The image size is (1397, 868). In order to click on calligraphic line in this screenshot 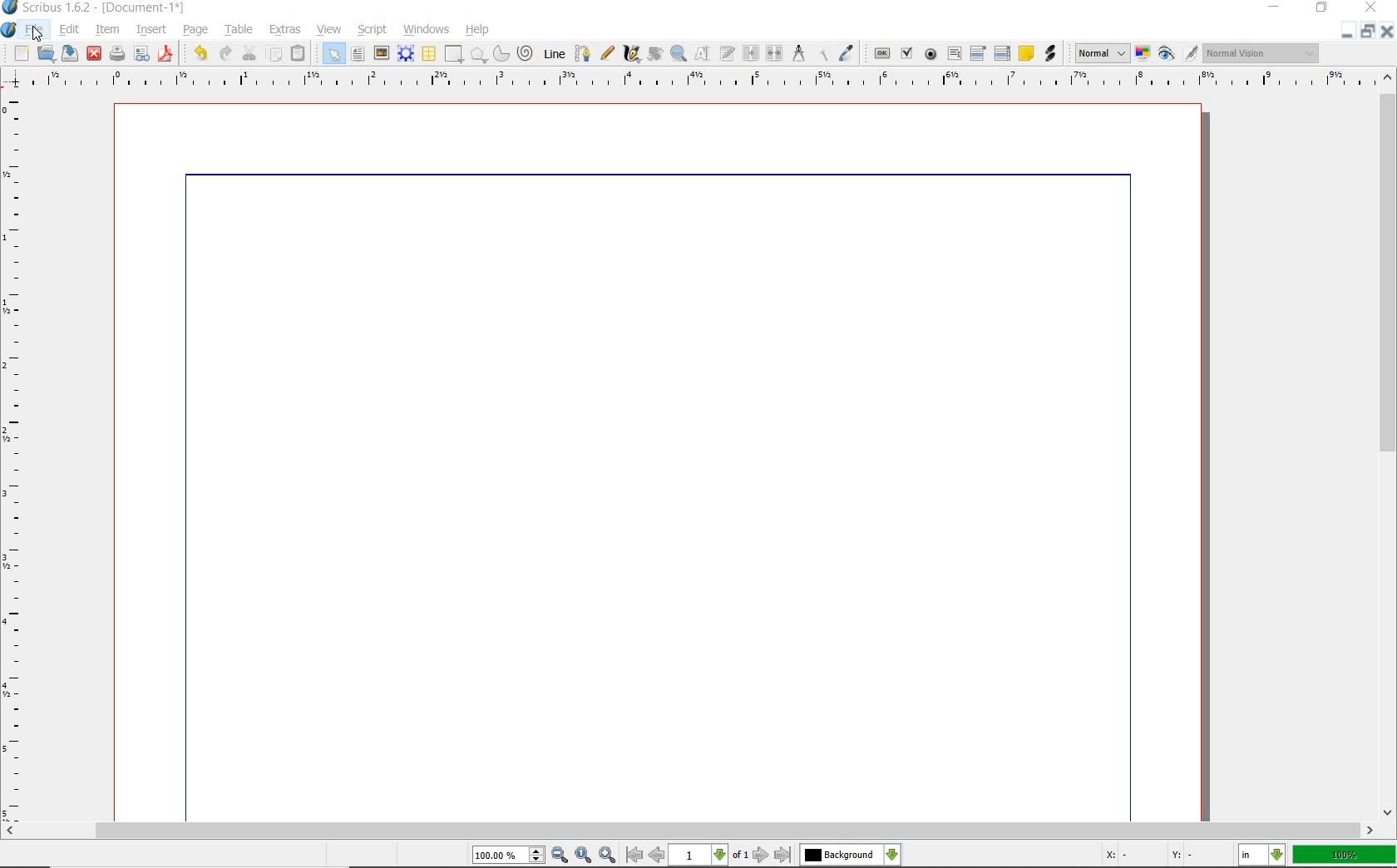, I will do `click(632, 55)`.